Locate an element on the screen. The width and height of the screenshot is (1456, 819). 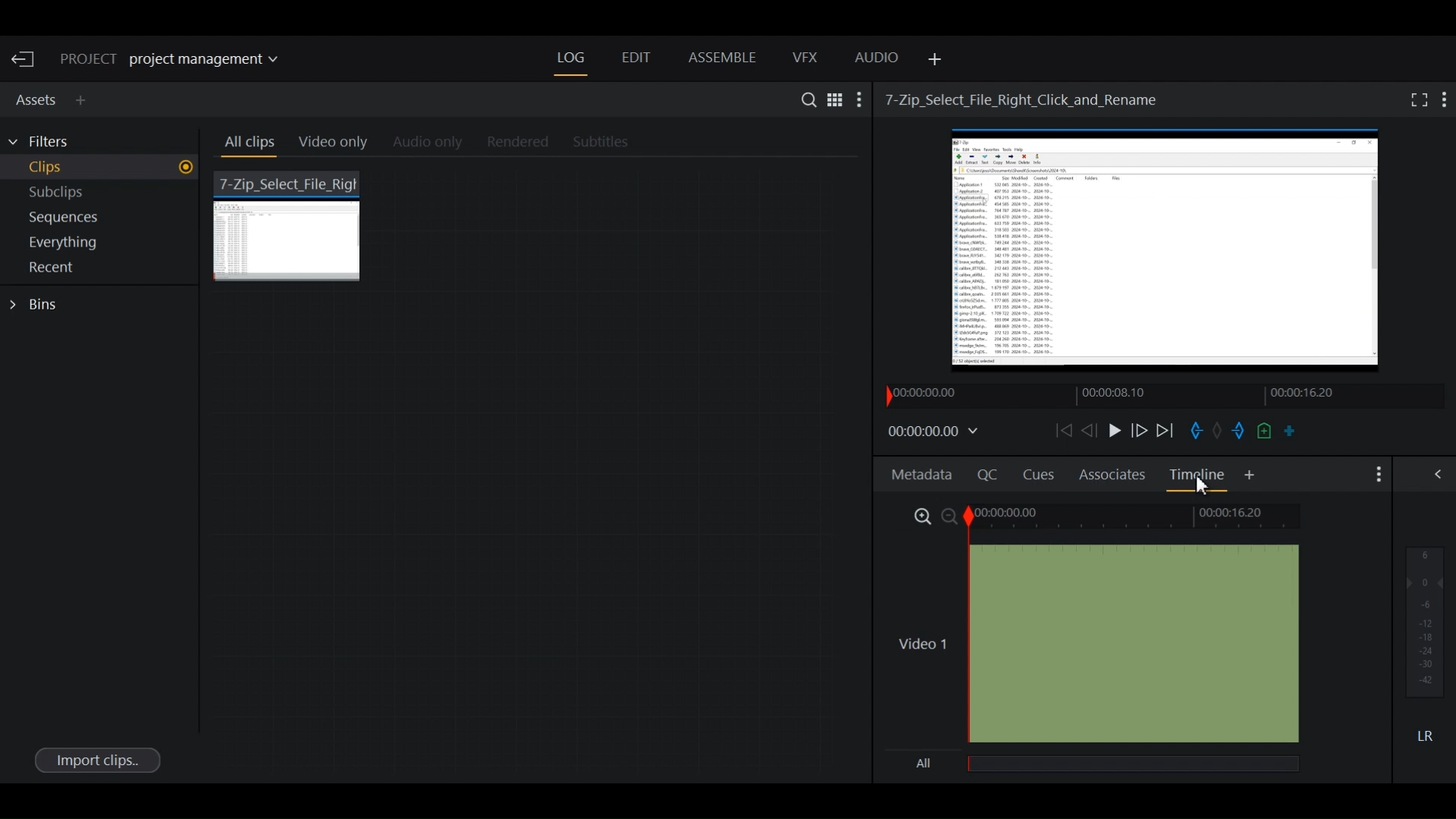
Audio output levels is located at coordinates (1425, 621).